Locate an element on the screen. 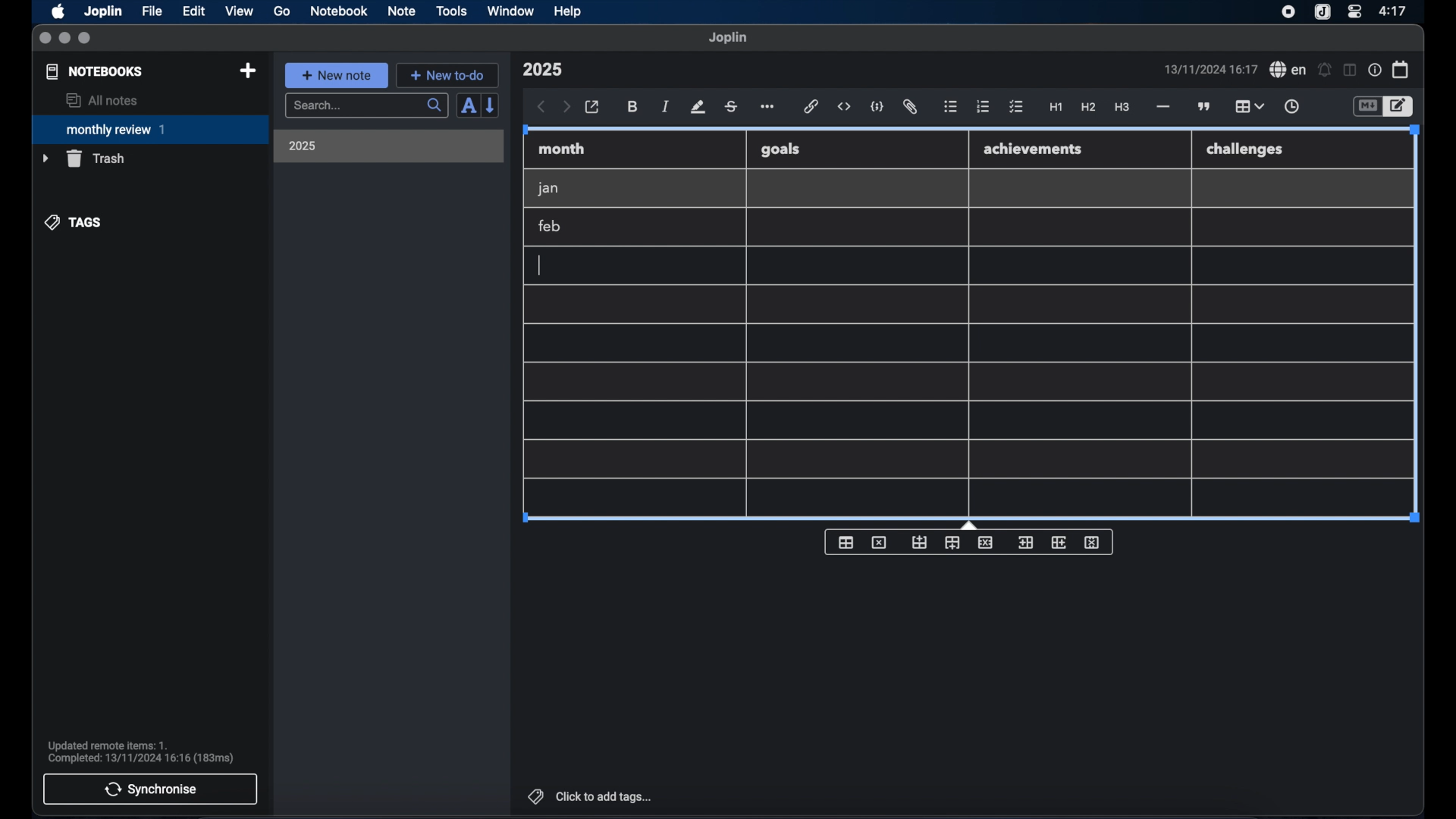  sync notification is located at coordinates (141, 752).